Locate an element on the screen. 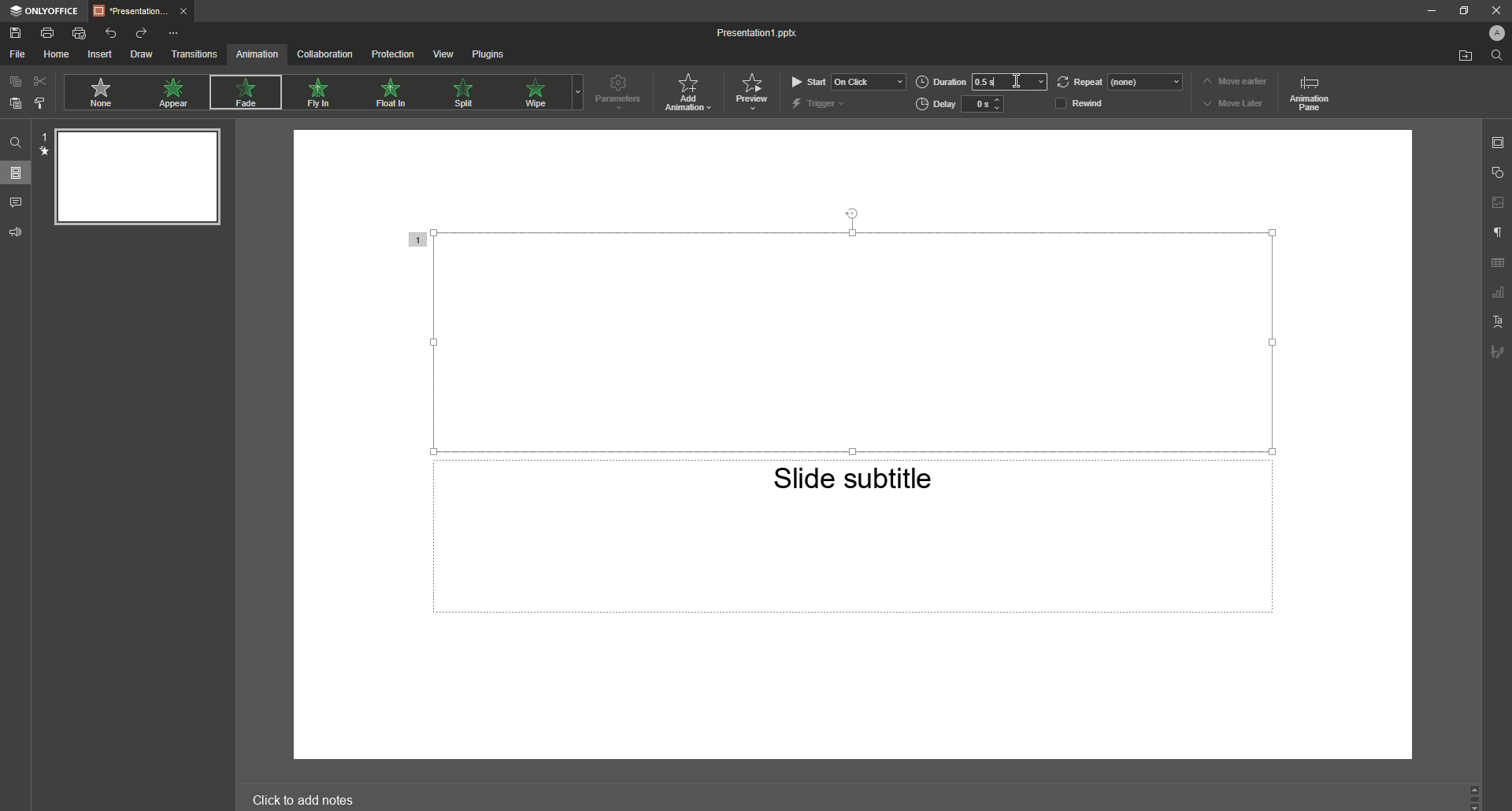 The image size is (1512, 811). Tab 1 is located at coordinates (146, 13).